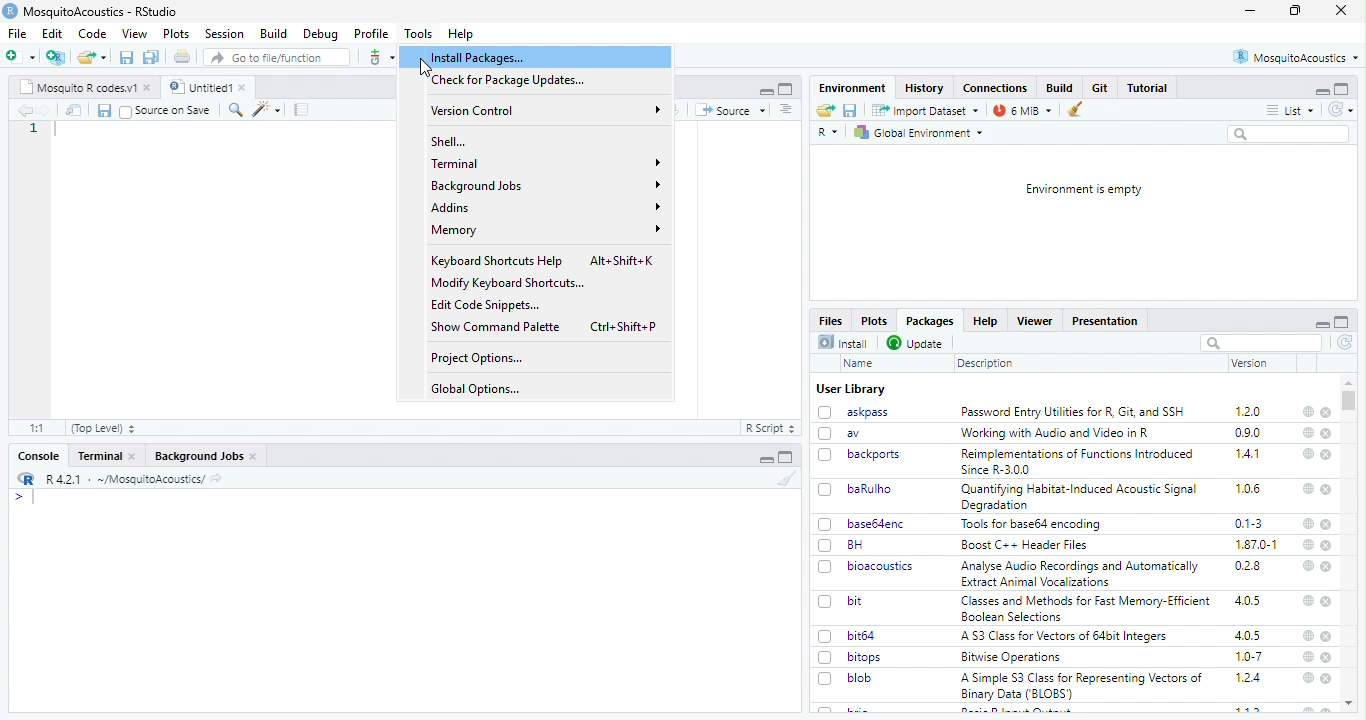 The image size is (1366, 720). What do you see at coordinates (826, 110) in the screenshot?
I see `share` at bounding box center [826, 110].